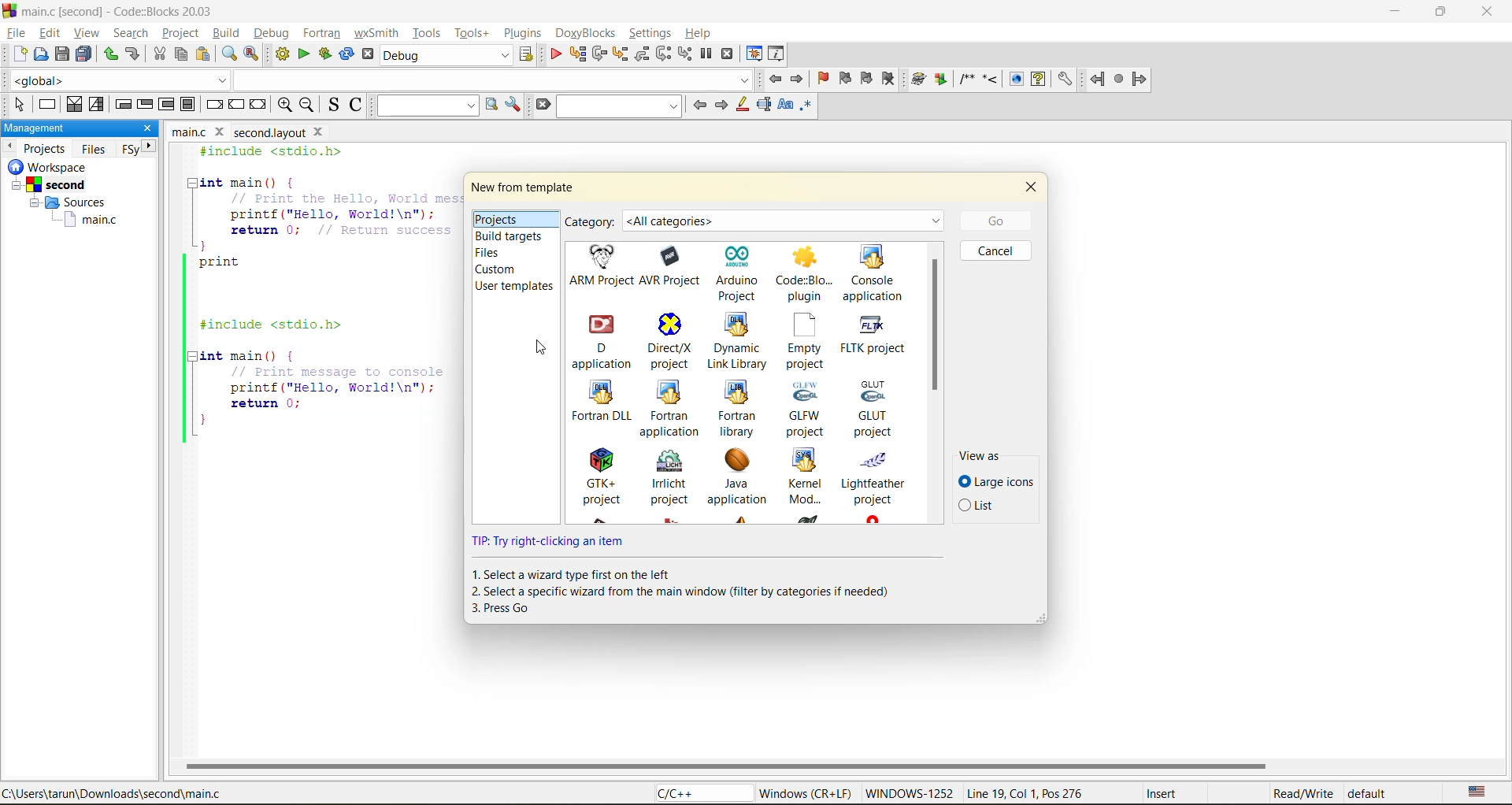 The width and height of the screenshot is (1512, 805). I want to click on tools, so click(428, 31).